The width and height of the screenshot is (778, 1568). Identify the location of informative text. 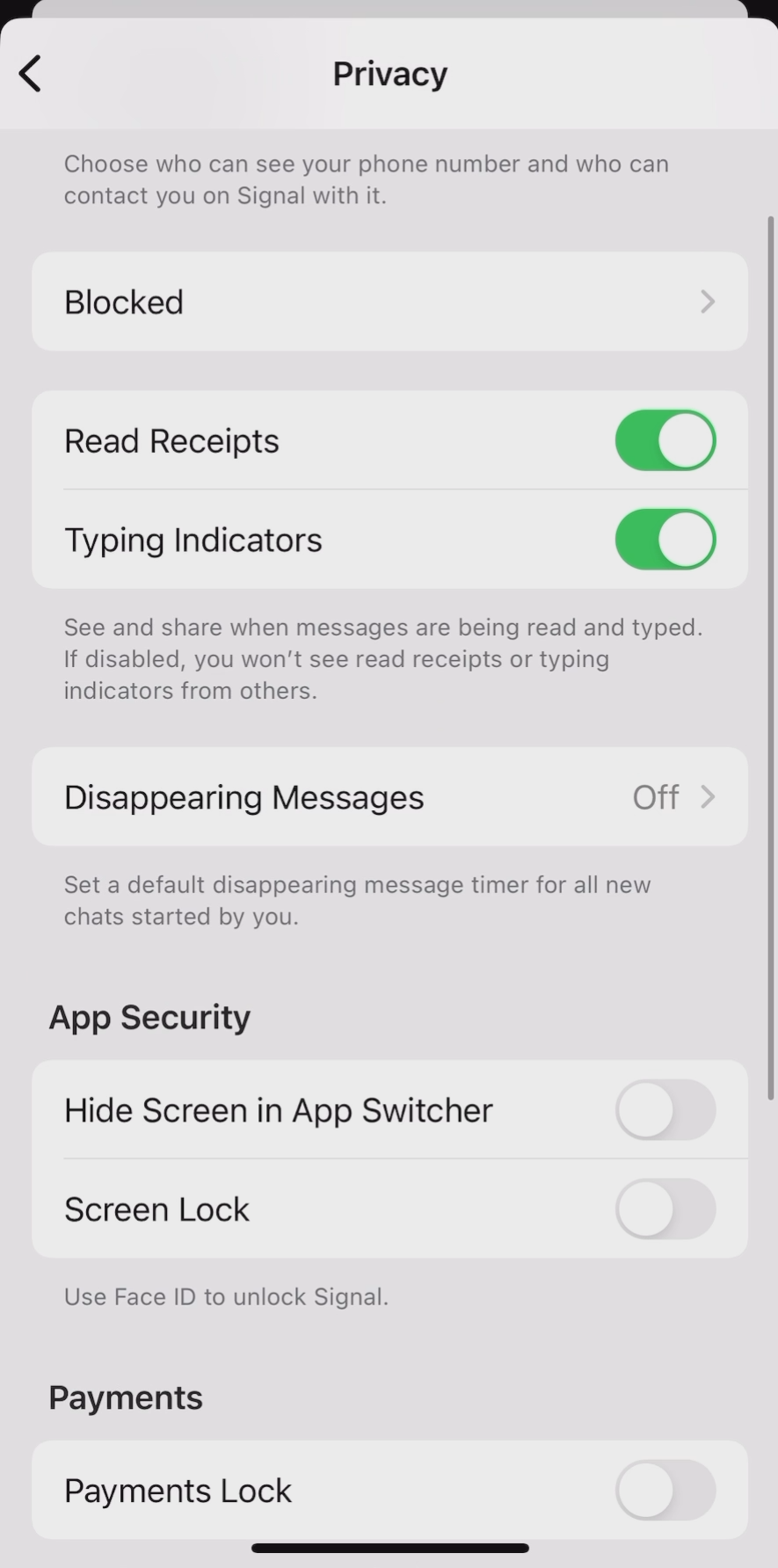
(390, 653).